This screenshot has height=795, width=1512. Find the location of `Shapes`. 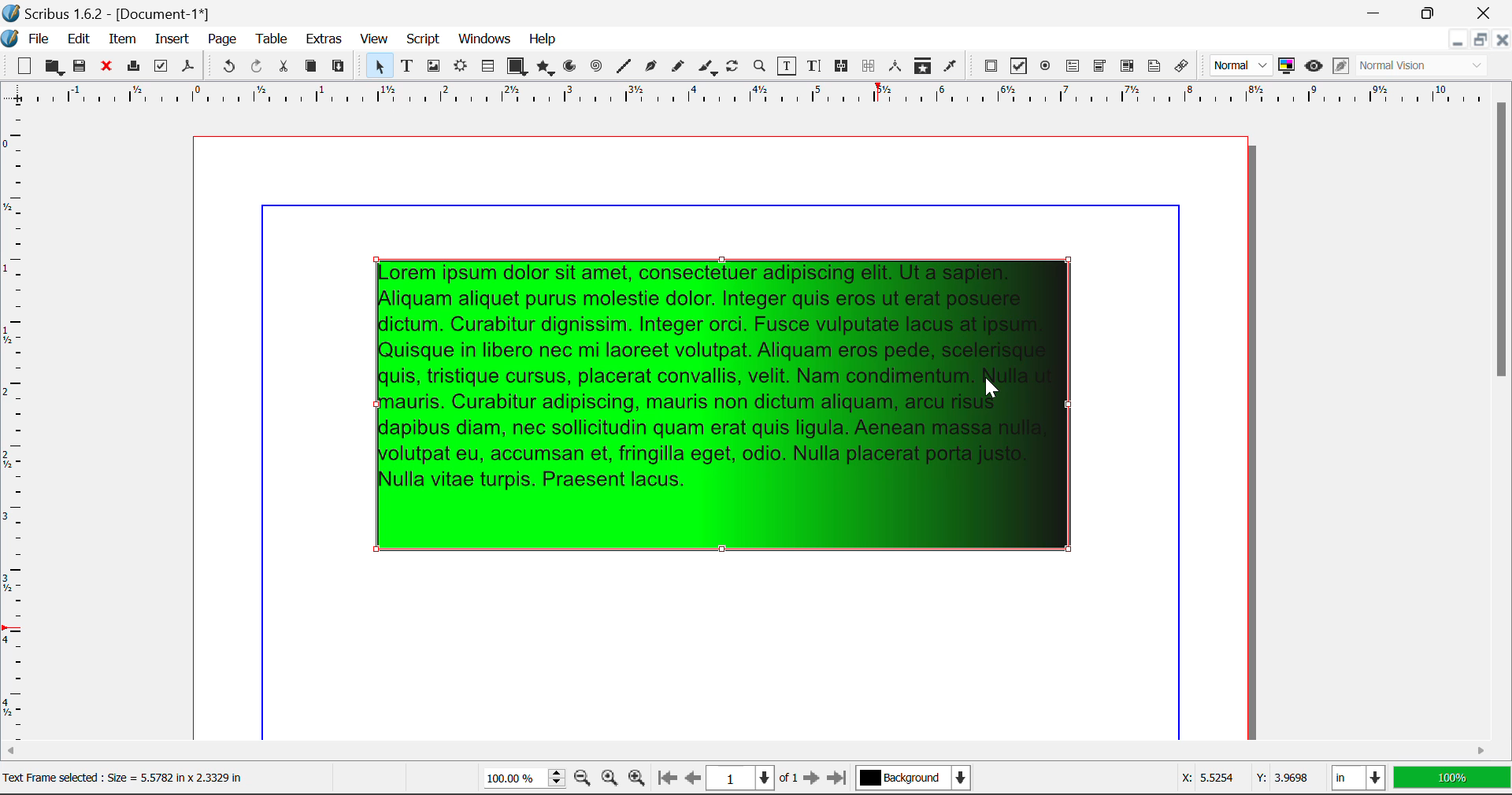

Shapes is located at coordinates (517, 68).